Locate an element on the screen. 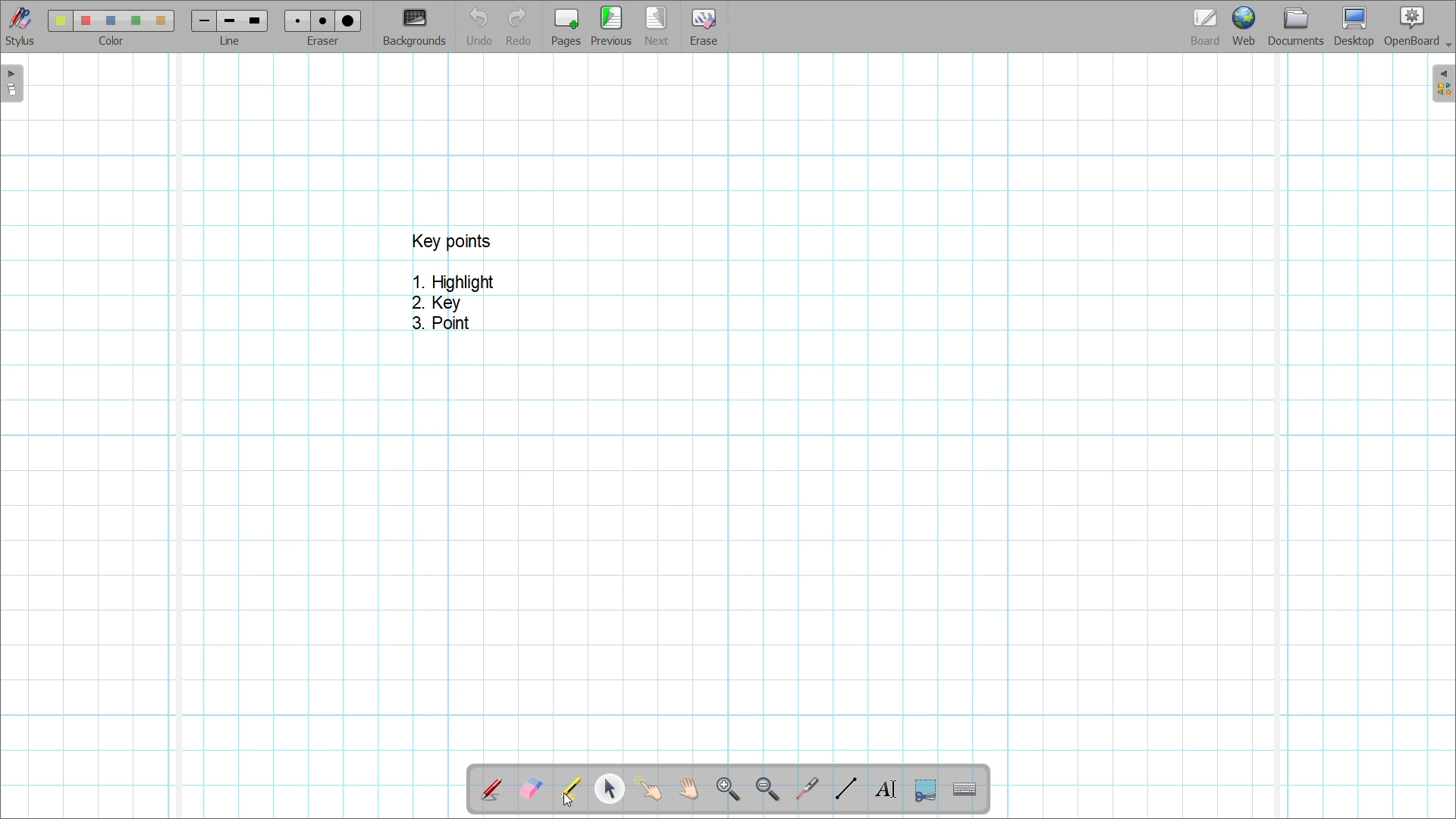 This screenshot has height=819, width=1456. Zoom in is located at coordinates (729, 790).